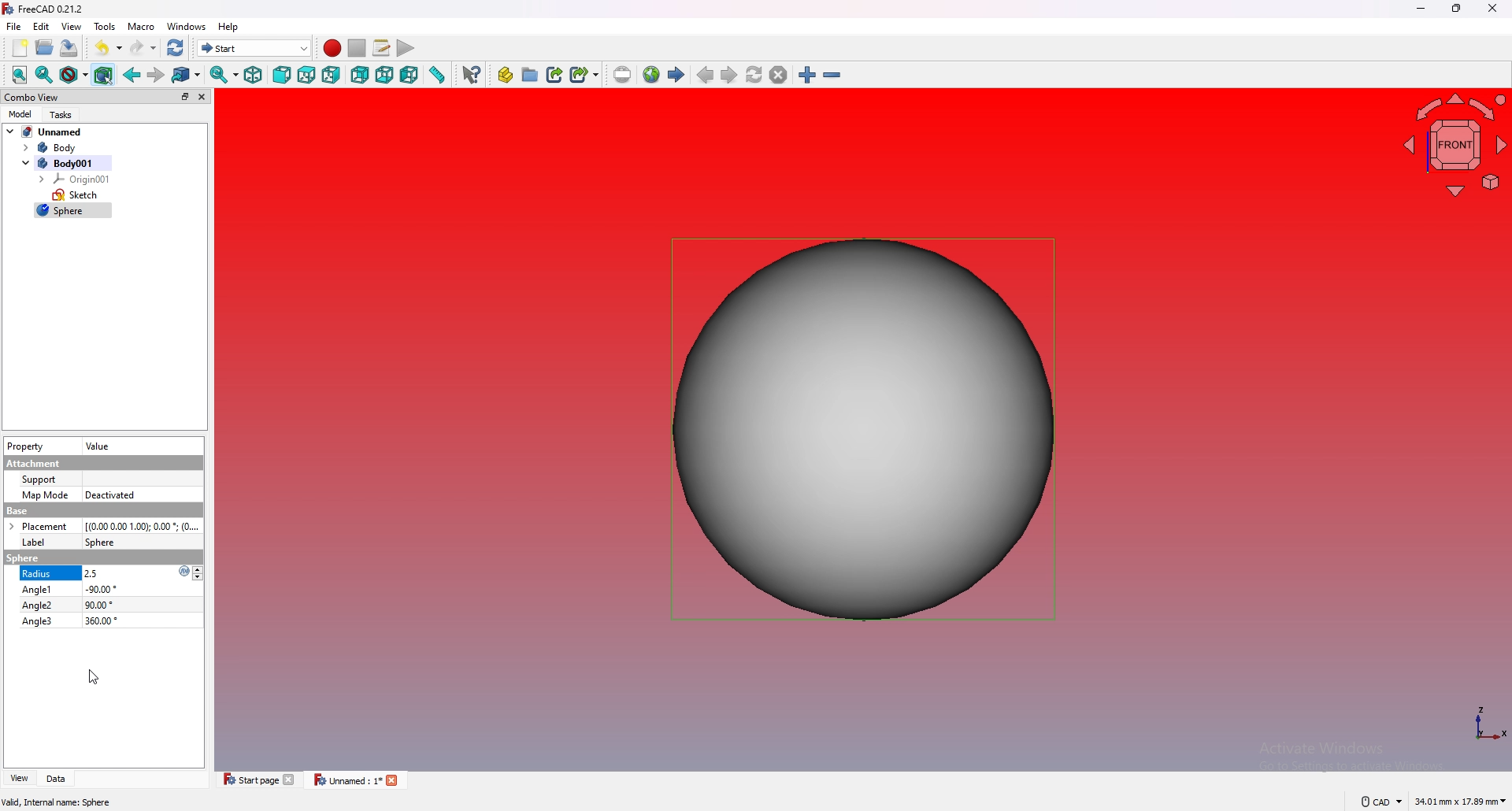 This screenshot has height=811, width=1512. What do you see at coordinates (45, 494) in the screenshot?
I see `map mode` at bounding box center [45, 494].